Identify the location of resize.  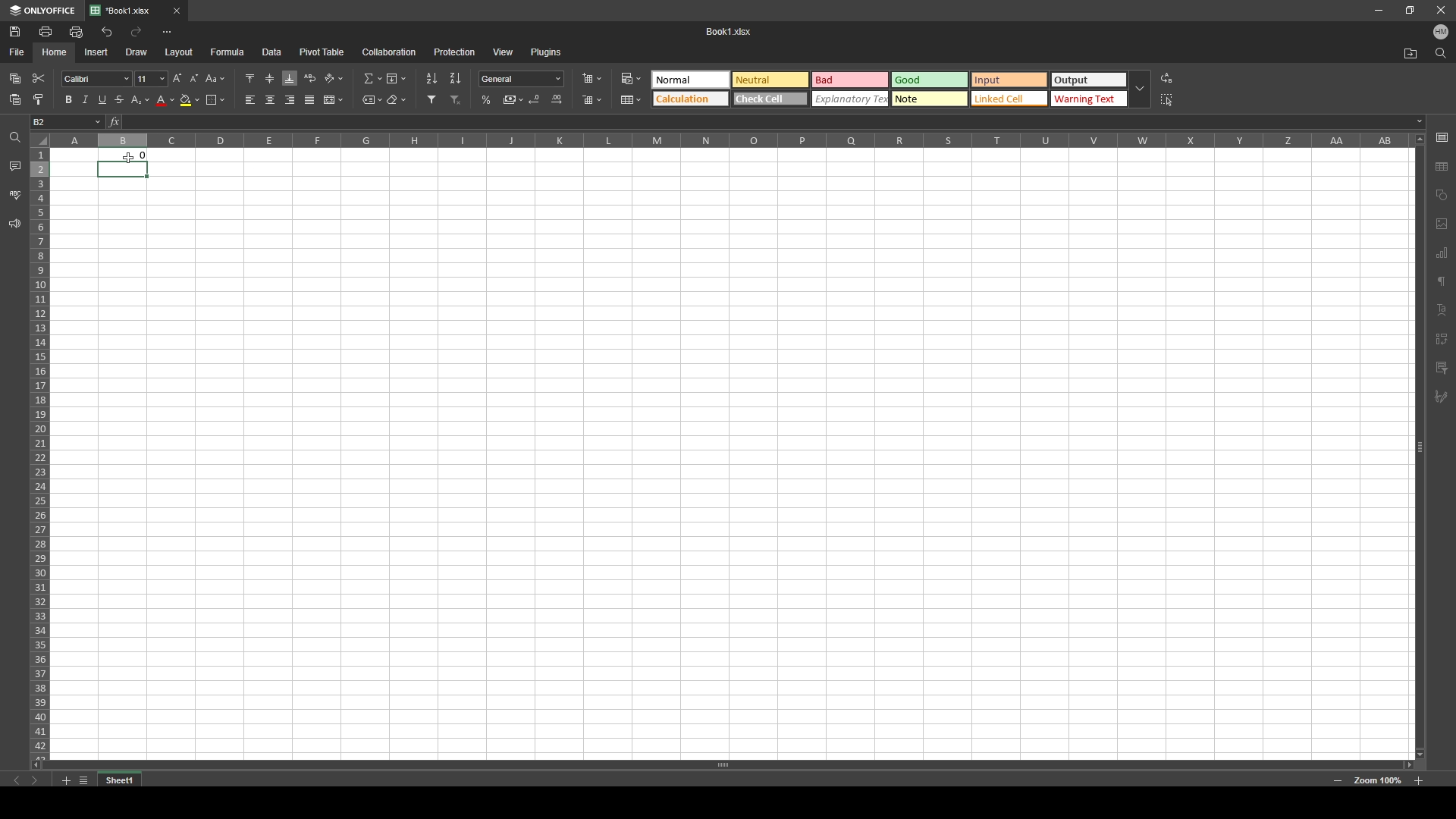
(1408, 11).